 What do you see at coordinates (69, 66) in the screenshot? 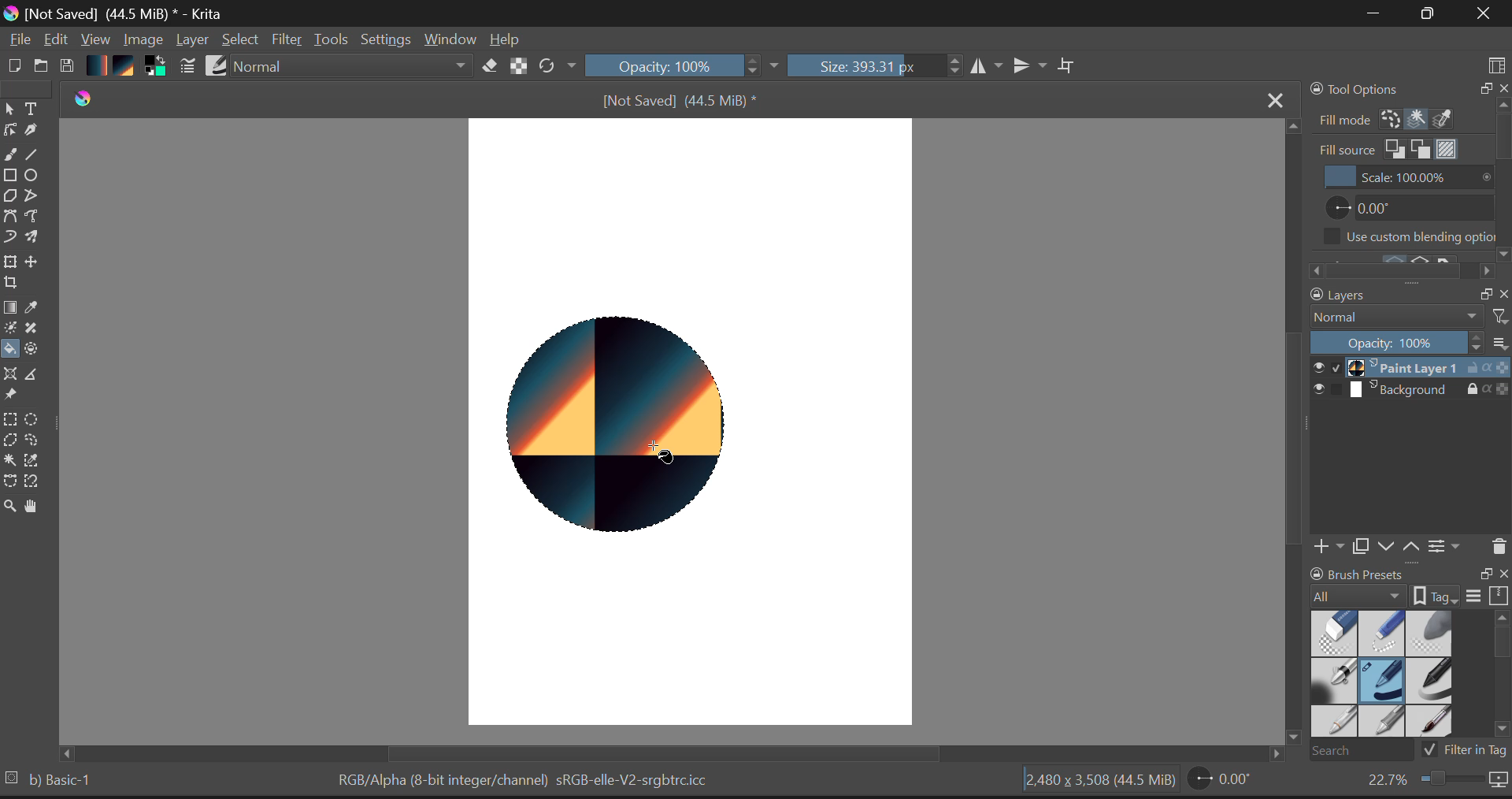
I see `Save` at bounding box center [69, 66].